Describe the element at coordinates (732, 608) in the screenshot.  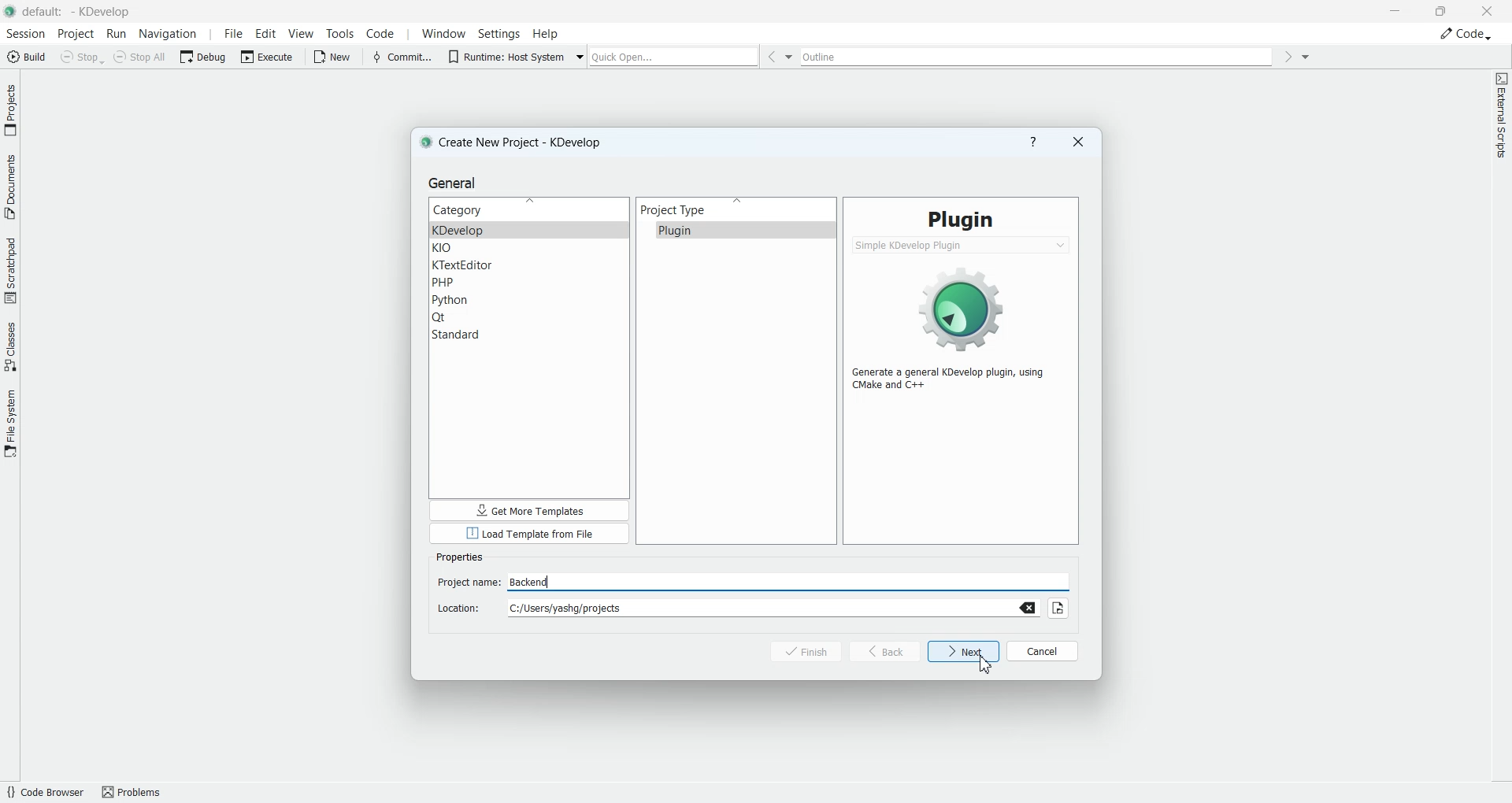
I see `File Path address` at that location.